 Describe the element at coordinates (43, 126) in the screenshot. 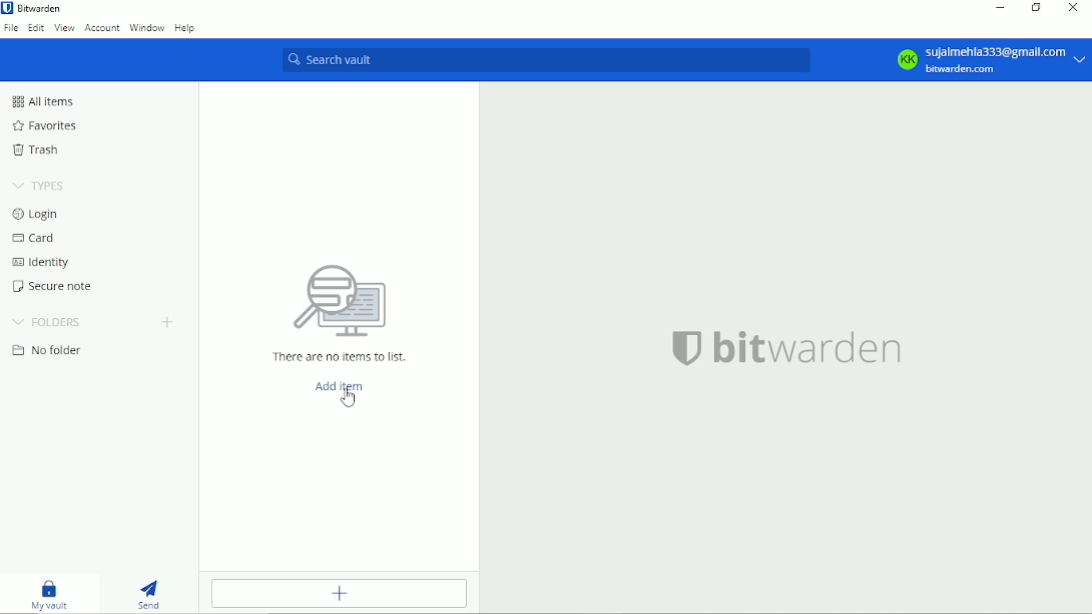

I see `Favorites` at that location.